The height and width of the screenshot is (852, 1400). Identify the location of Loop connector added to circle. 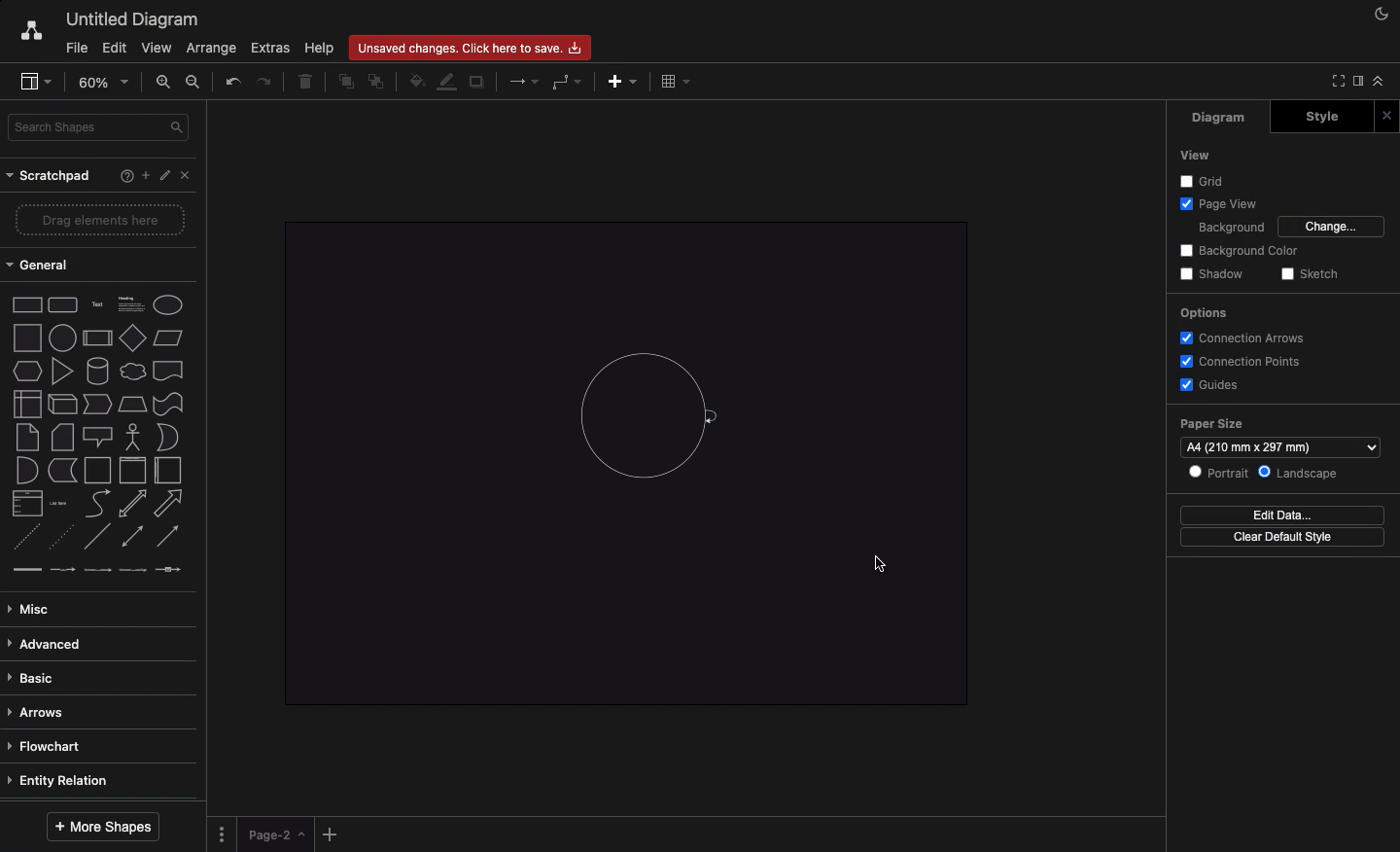
(717, 416).